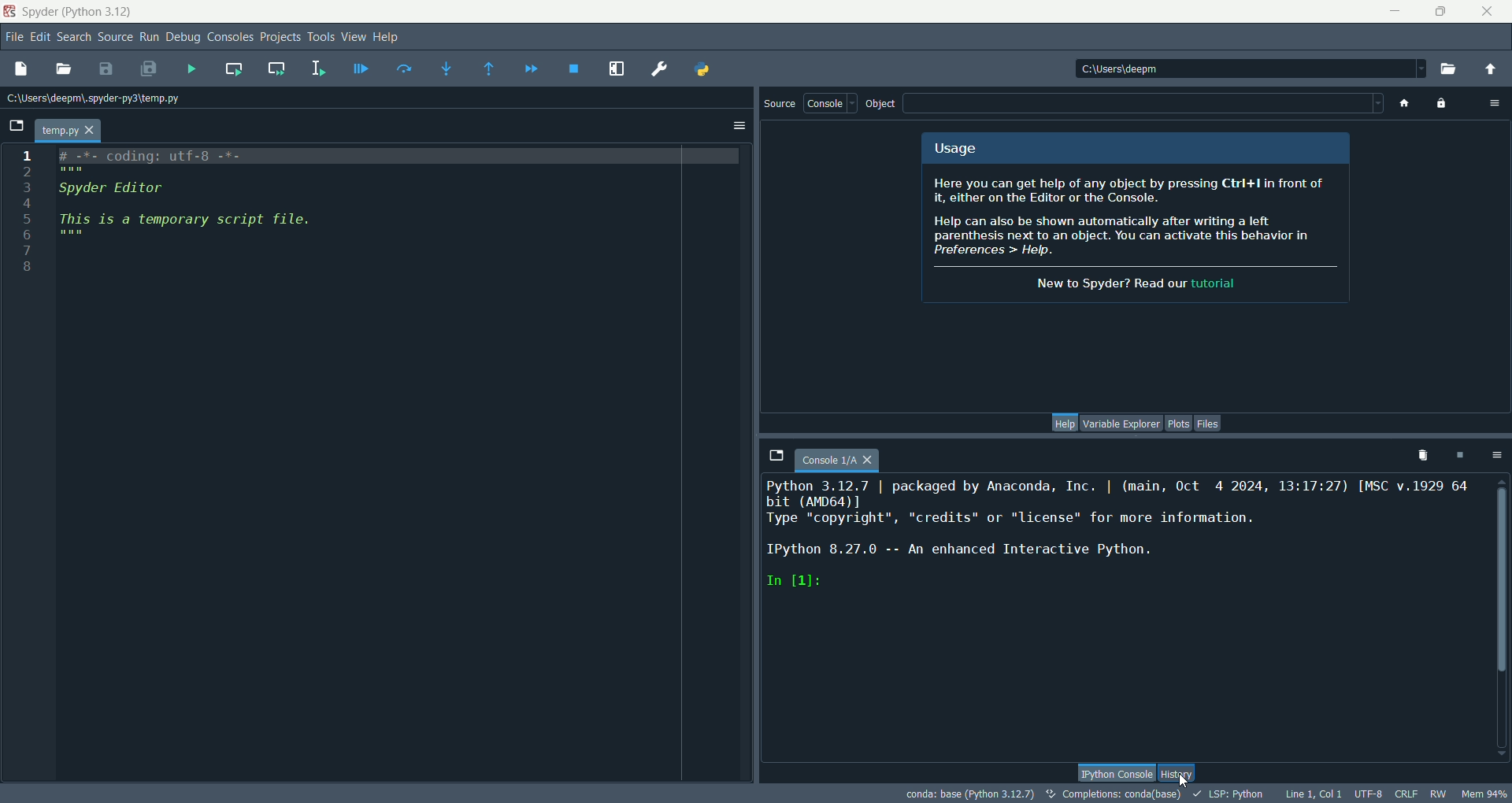 The image size is (1512, 803). Describe the element at coordinates (1114, 772) in the screenshot. I see `IPython console` at that location.